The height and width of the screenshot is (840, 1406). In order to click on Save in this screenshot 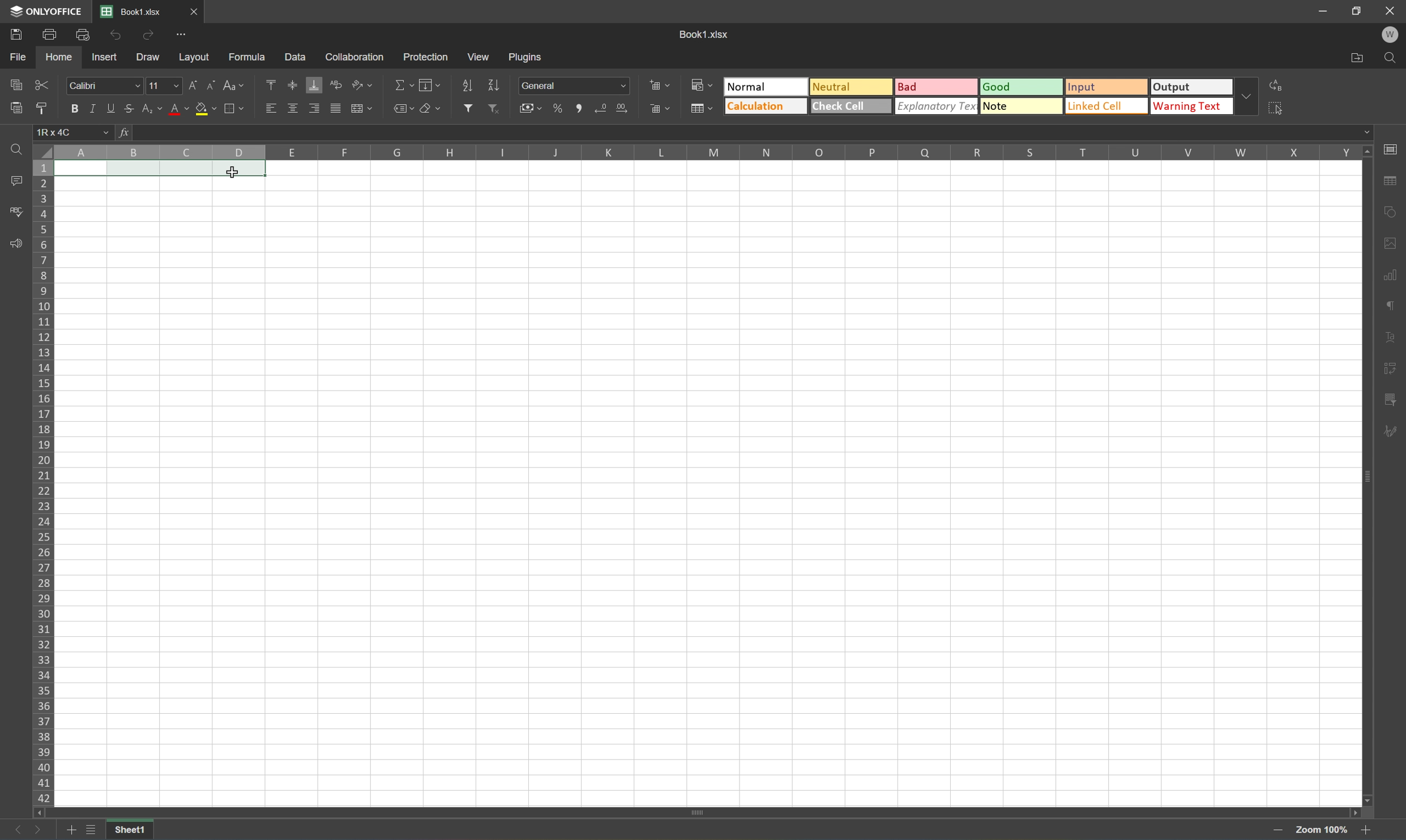, I will do `click(13, 36)`.